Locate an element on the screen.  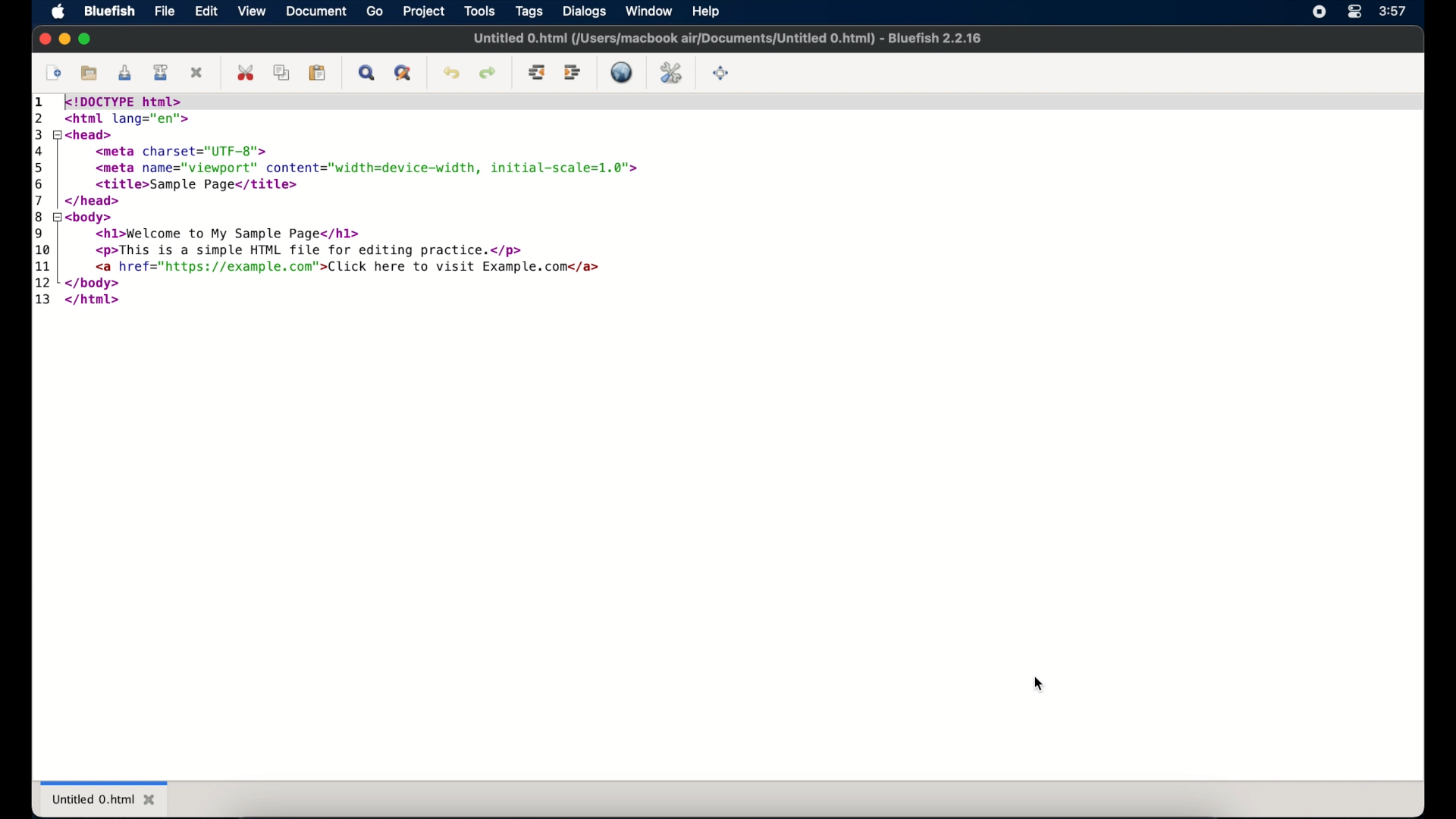
open is located at coordinates (87, 71).